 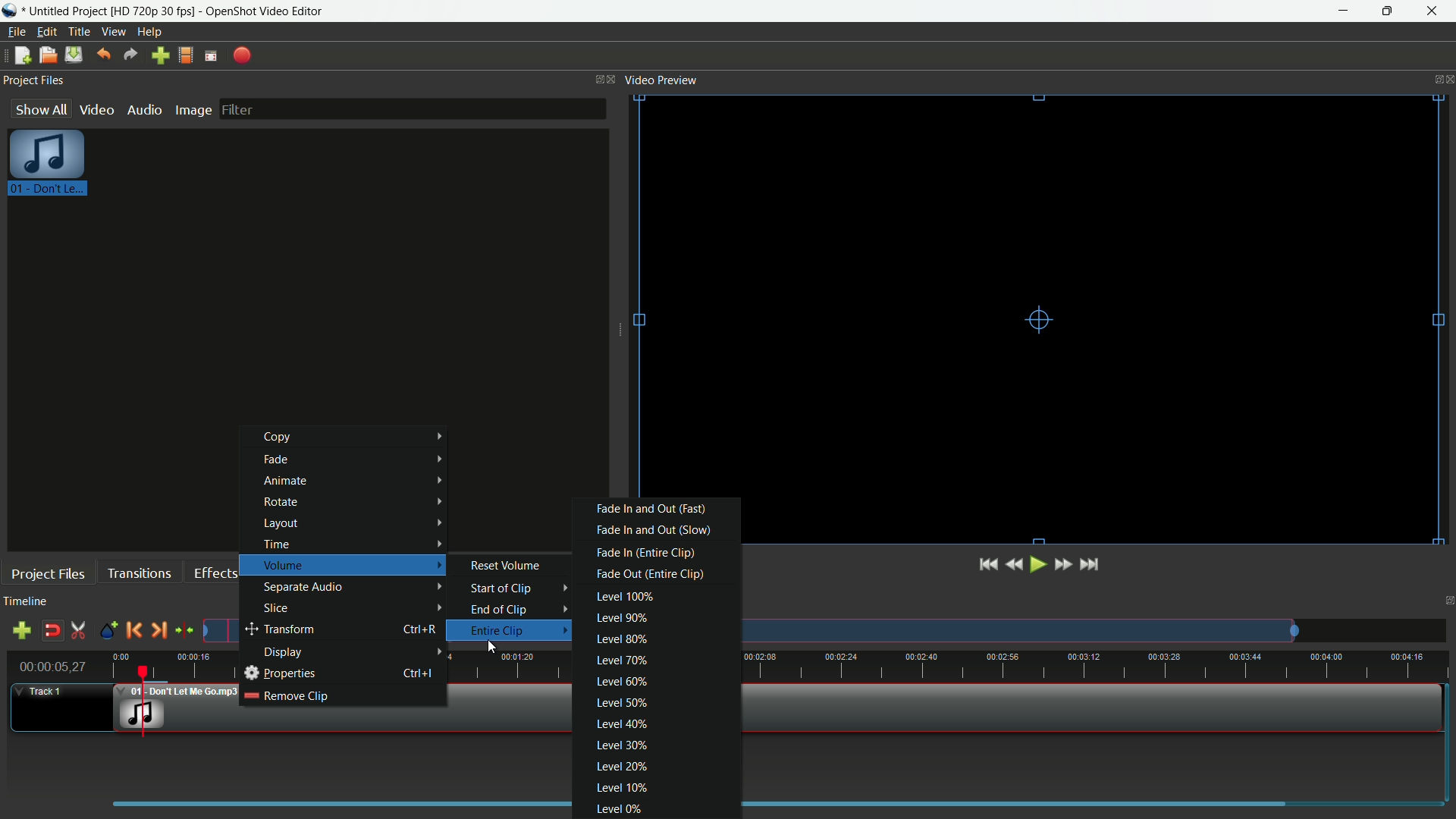 What do you see at coordinates (618, 640) in the screenshot?
I see `level 80%` at bounding box center [618, 640].